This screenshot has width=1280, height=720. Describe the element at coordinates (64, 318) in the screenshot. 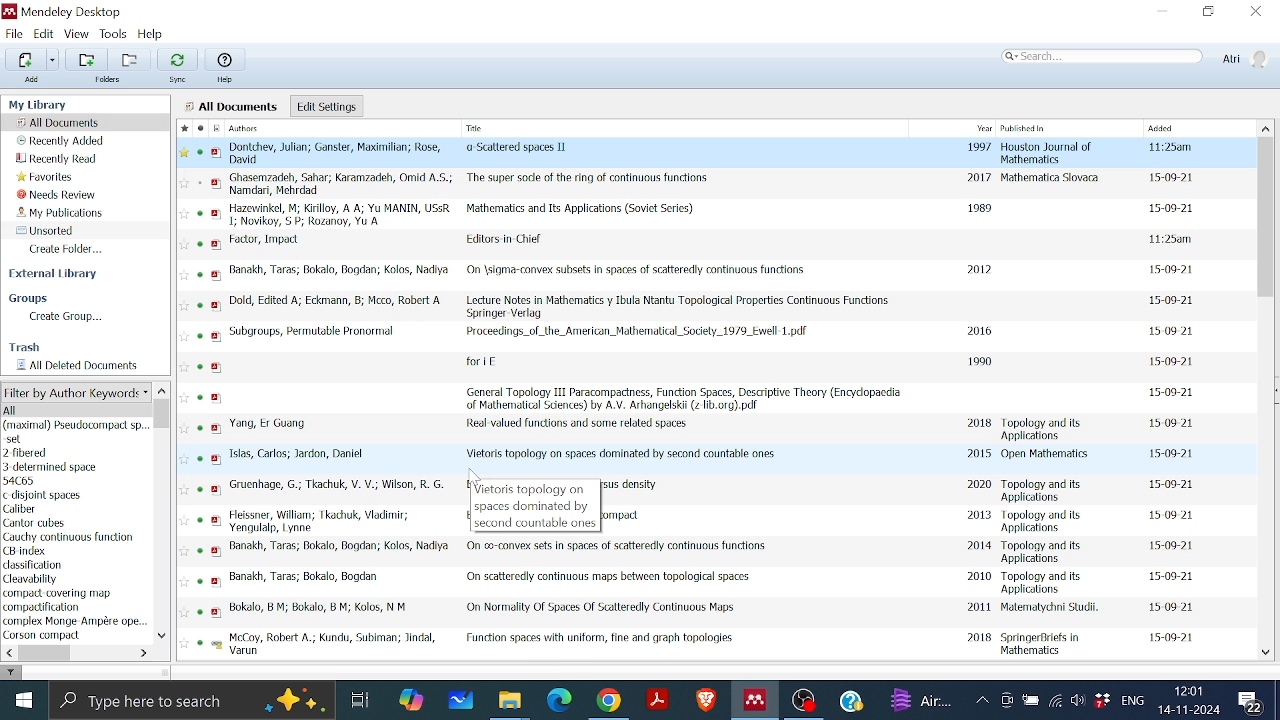

I see `Create group` at that location.